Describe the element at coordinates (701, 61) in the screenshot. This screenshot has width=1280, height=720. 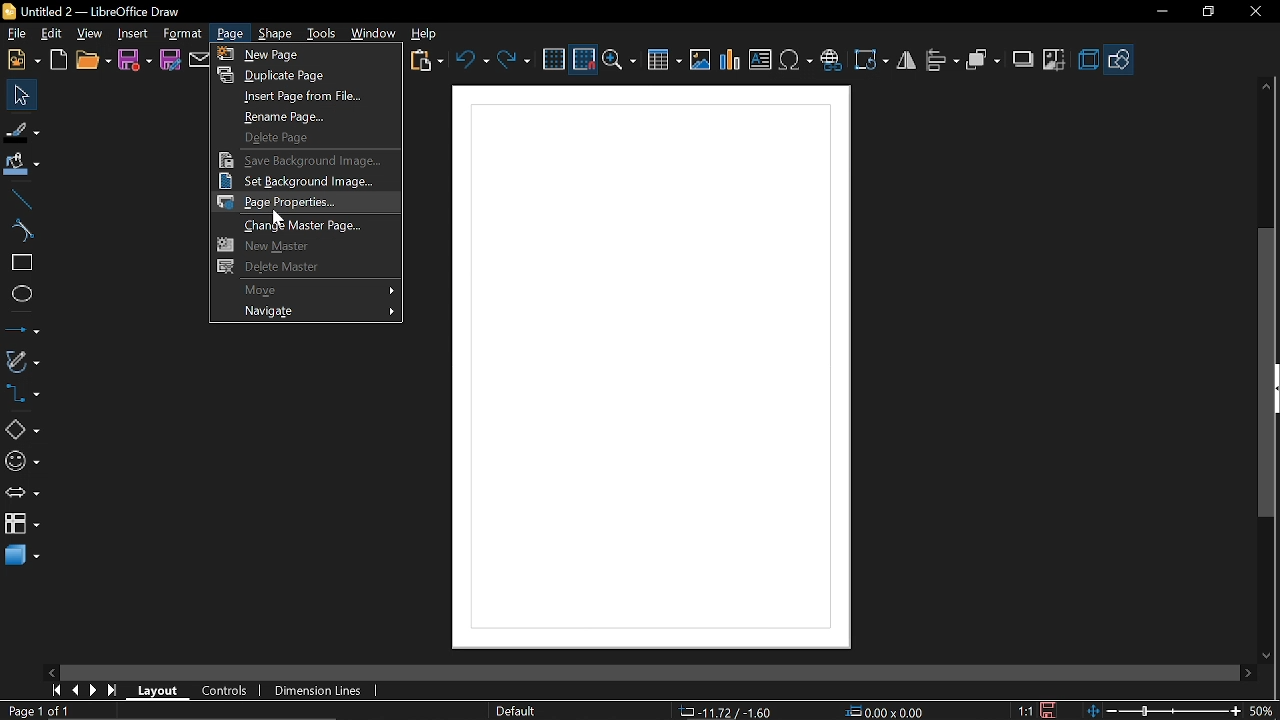
I see `Insert Image` at that location.